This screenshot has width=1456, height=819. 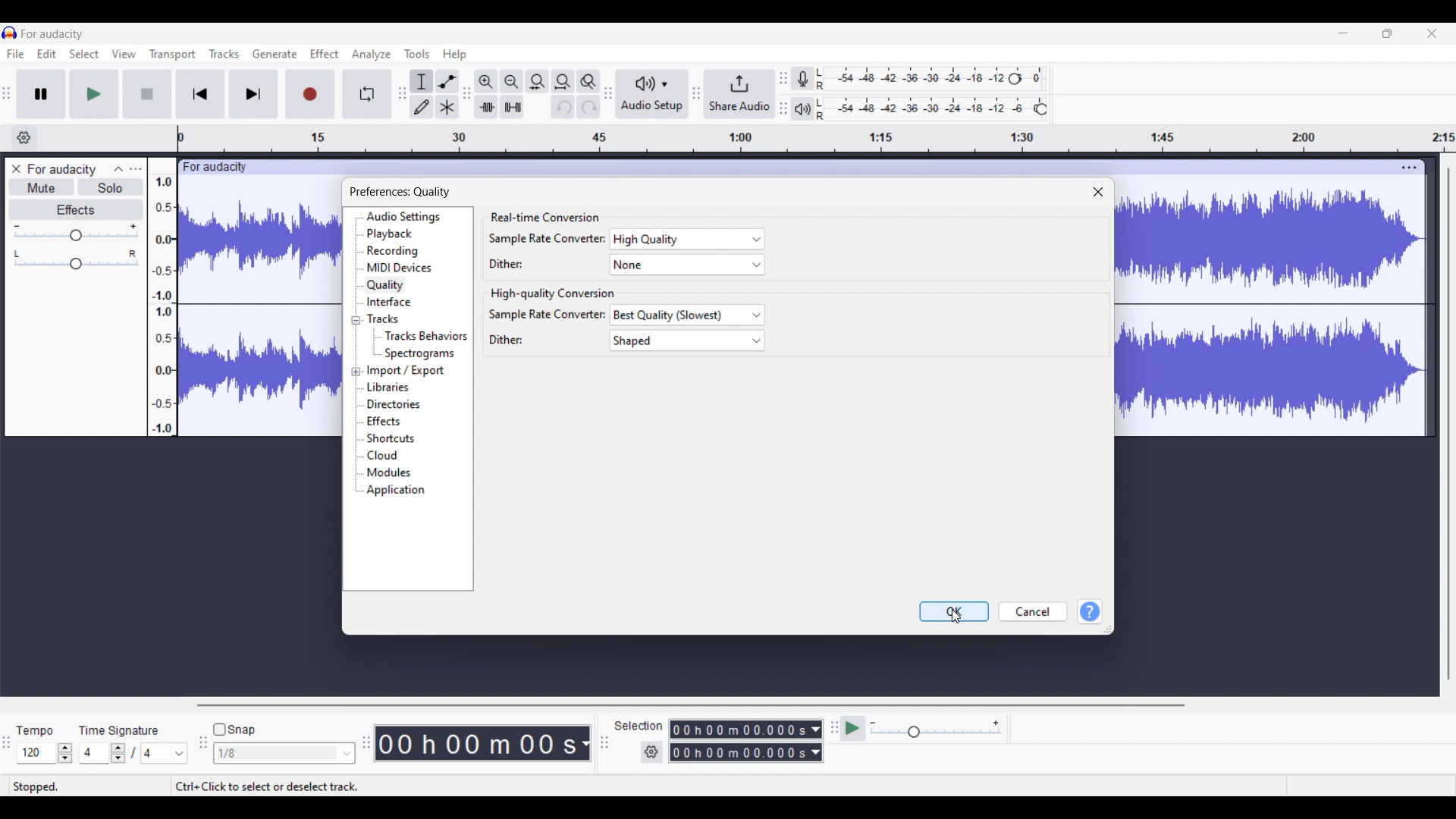 I want to click on sample rate converter, so click(x=548, y=315).